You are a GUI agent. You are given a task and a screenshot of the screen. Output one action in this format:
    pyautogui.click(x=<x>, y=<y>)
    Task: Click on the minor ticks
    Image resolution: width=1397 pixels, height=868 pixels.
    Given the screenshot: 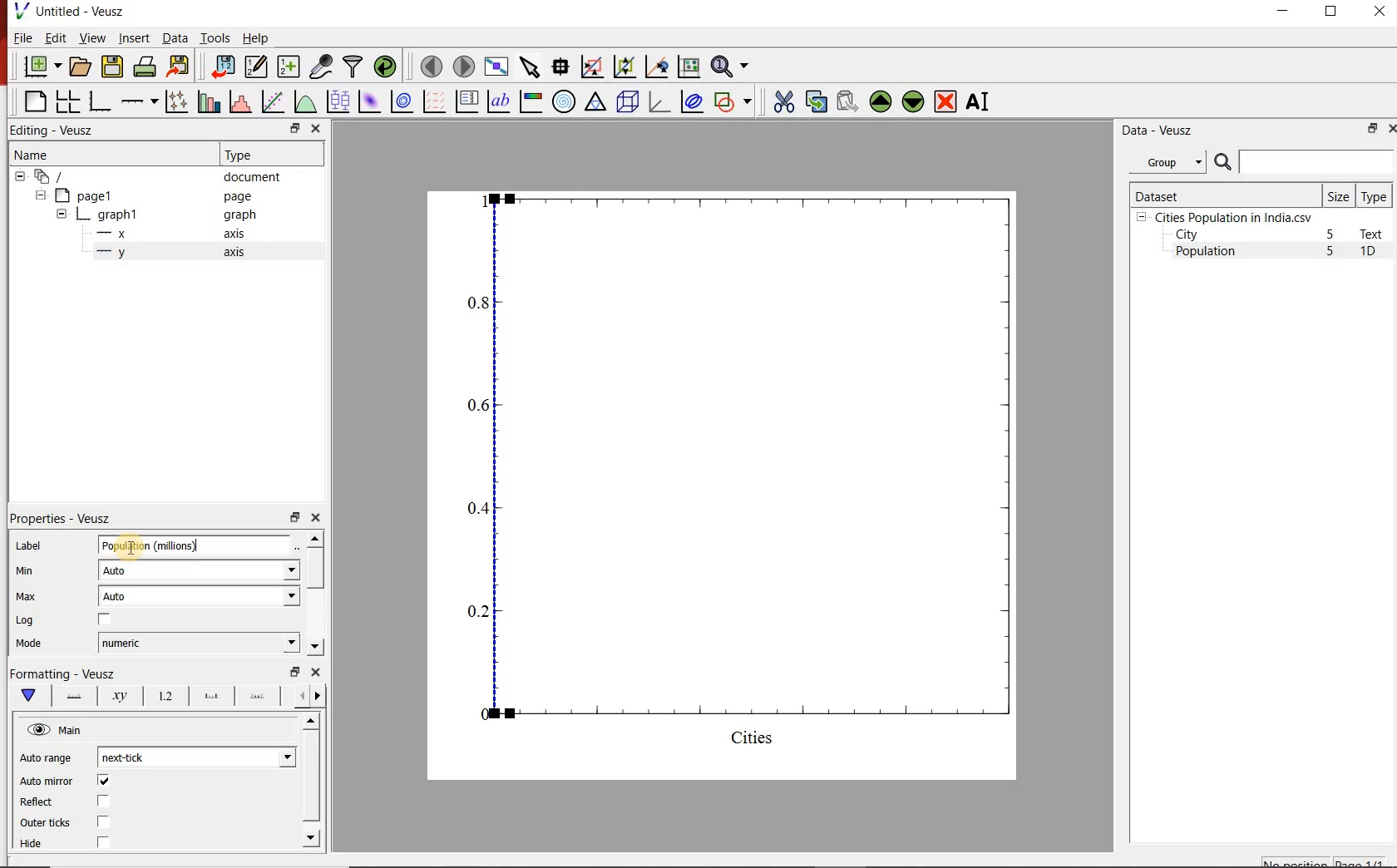 What is the action you would take?
    pyautogui.click(x=258, y=697)
    